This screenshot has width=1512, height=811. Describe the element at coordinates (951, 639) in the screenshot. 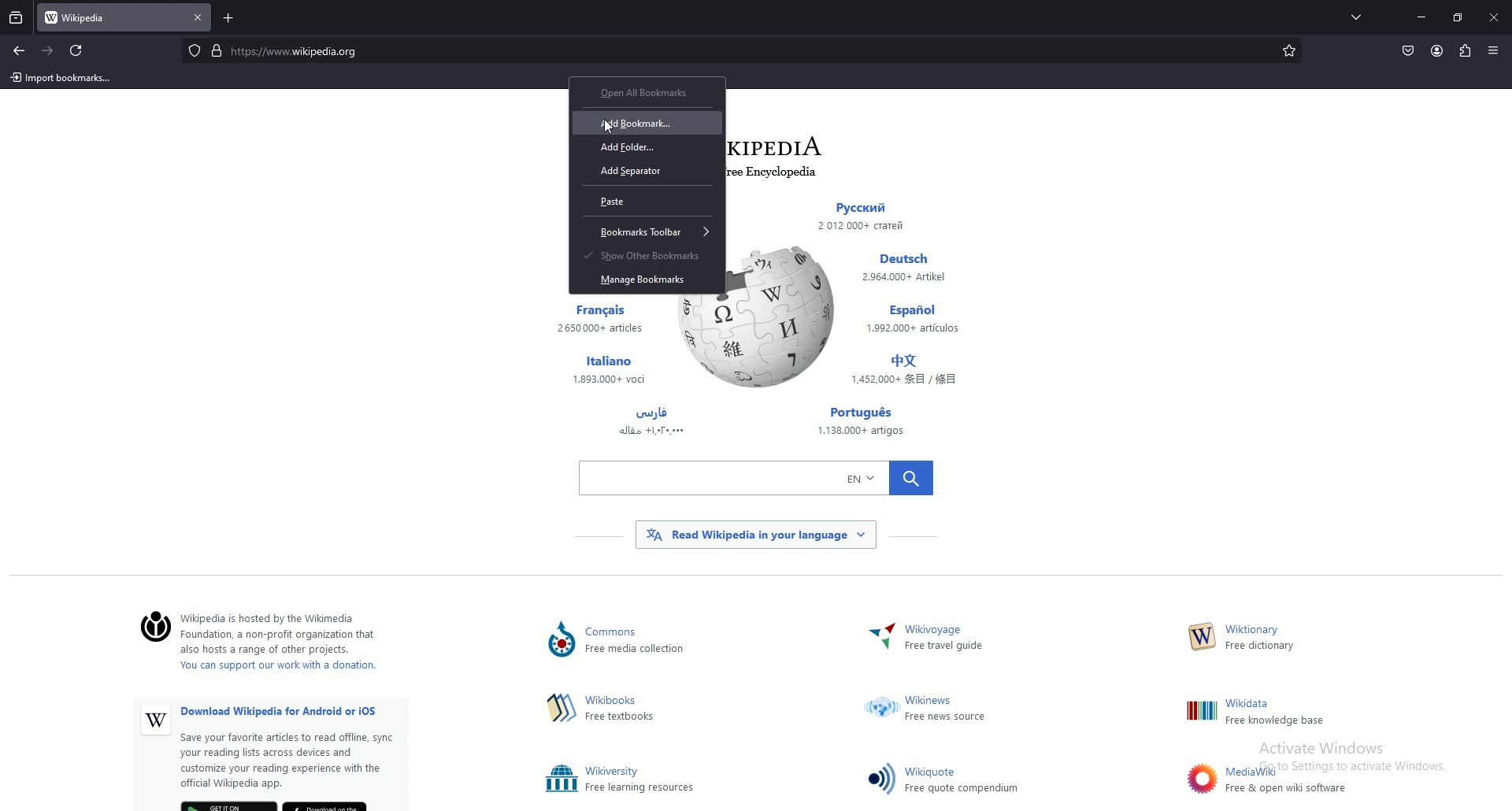

I see `~ Wikivoyage
Free travel guide` at that location.